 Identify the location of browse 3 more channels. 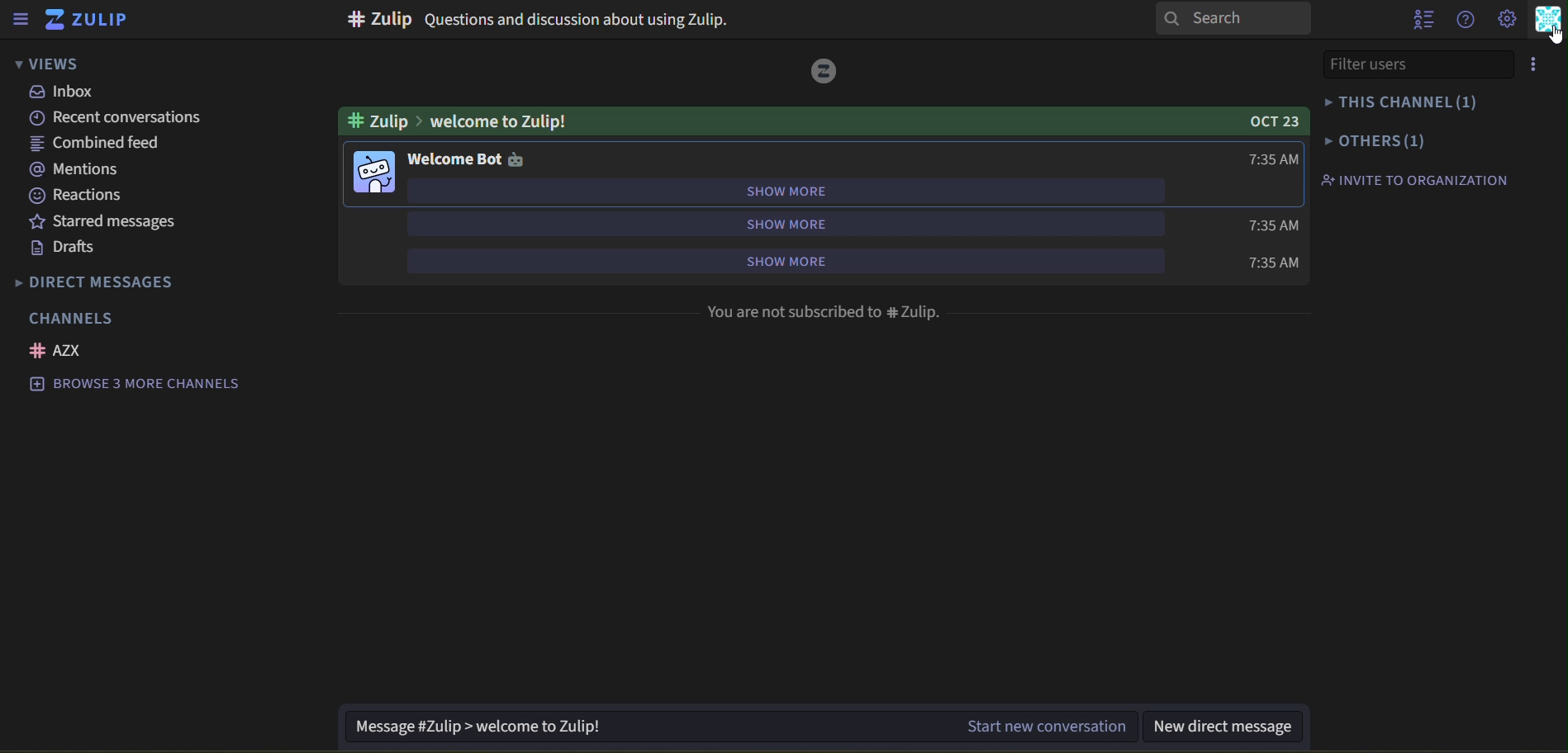
(146, 385).